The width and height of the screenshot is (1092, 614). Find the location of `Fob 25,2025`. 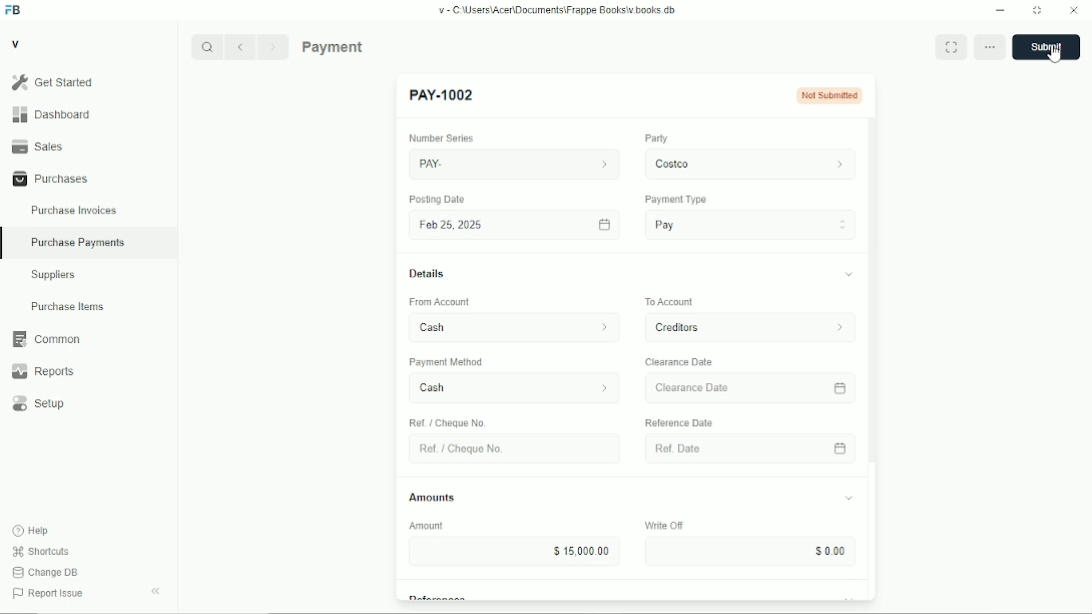

Fob 25,2025 is located at coordinates (511, 224).